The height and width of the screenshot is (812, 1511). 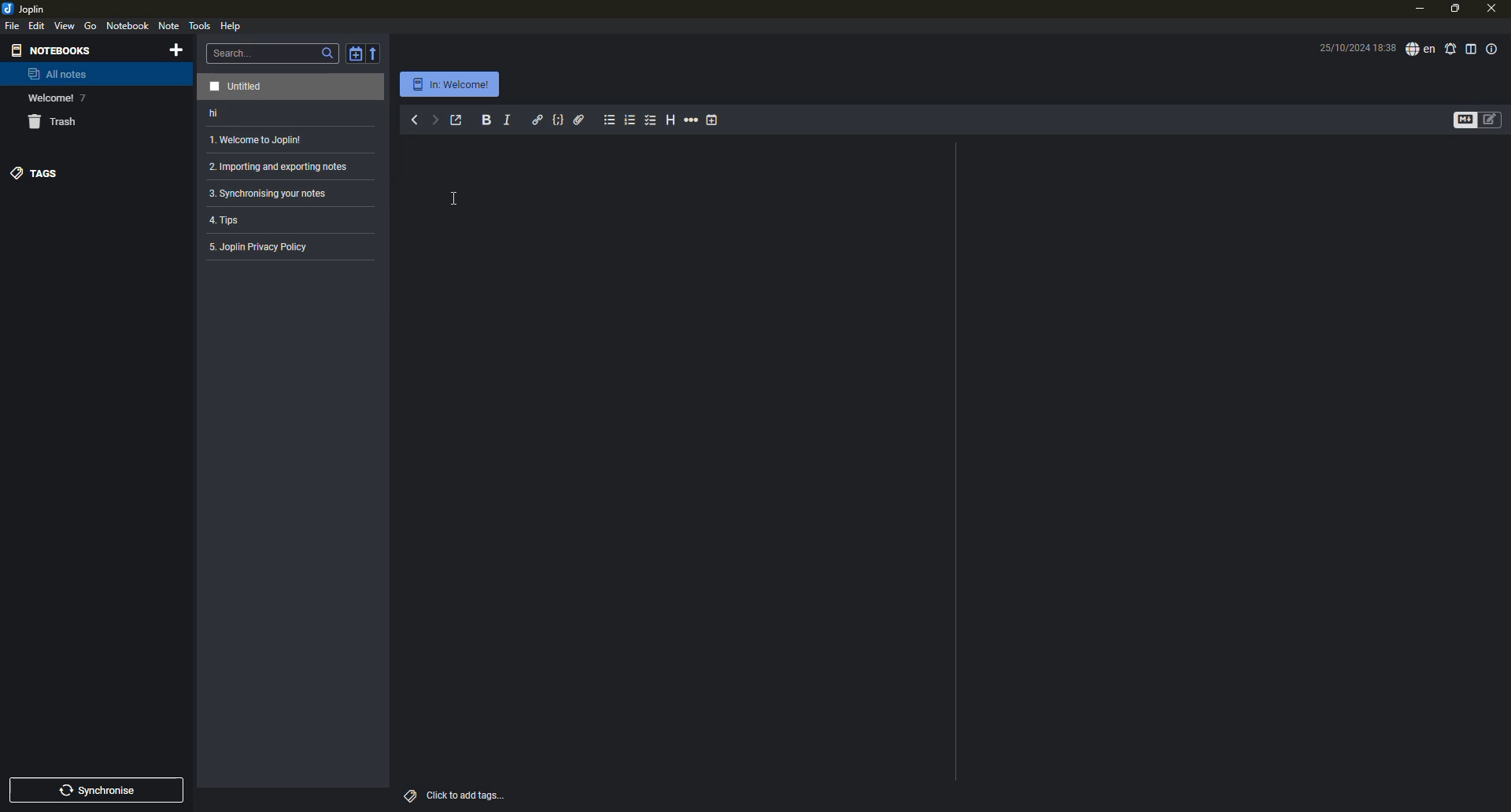 I want to click on search bar, so click(x=273, y=52).